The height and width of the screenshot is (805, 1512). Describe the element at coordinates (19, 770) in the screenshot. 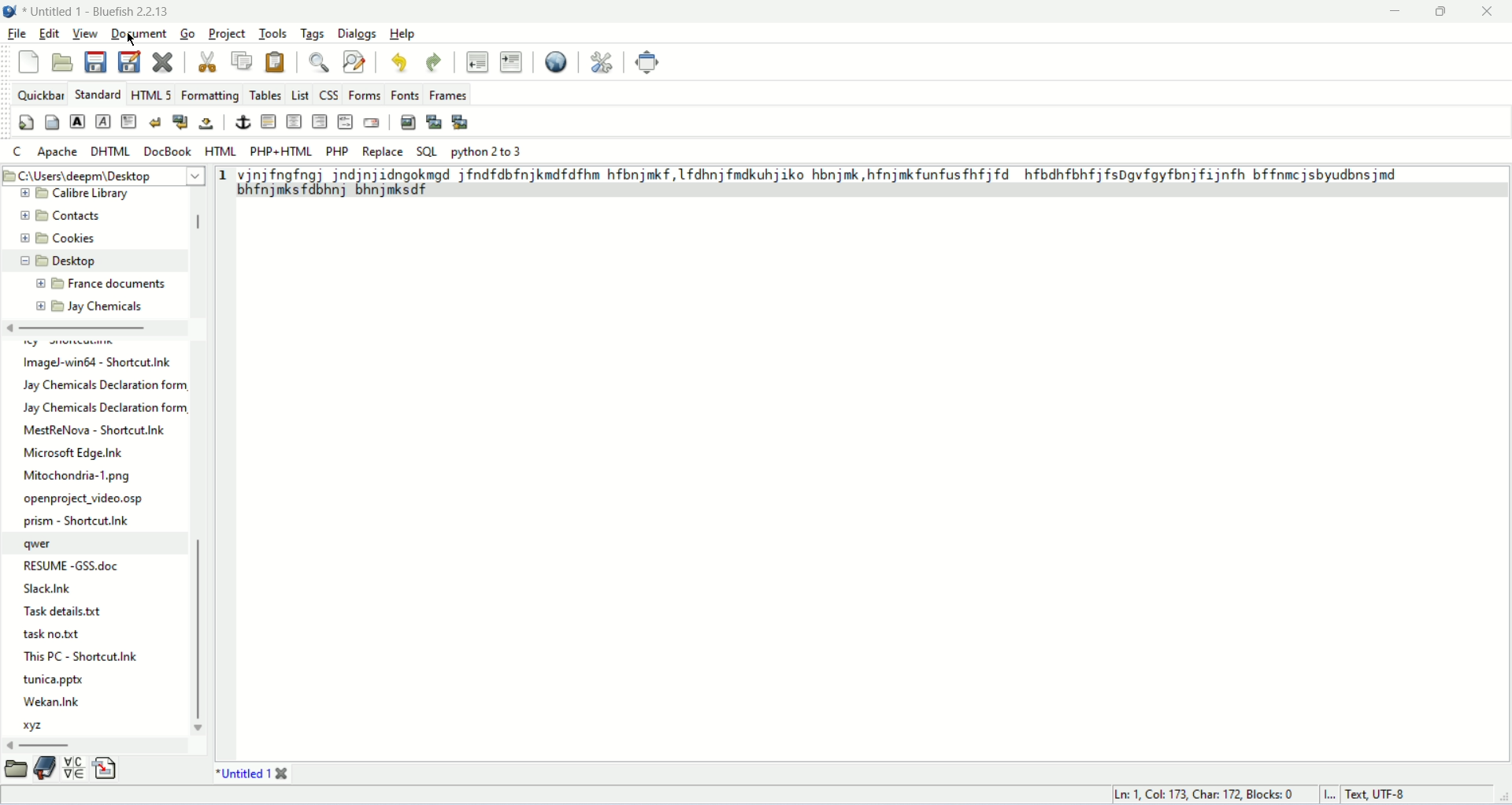

I see `browse file` at that location.